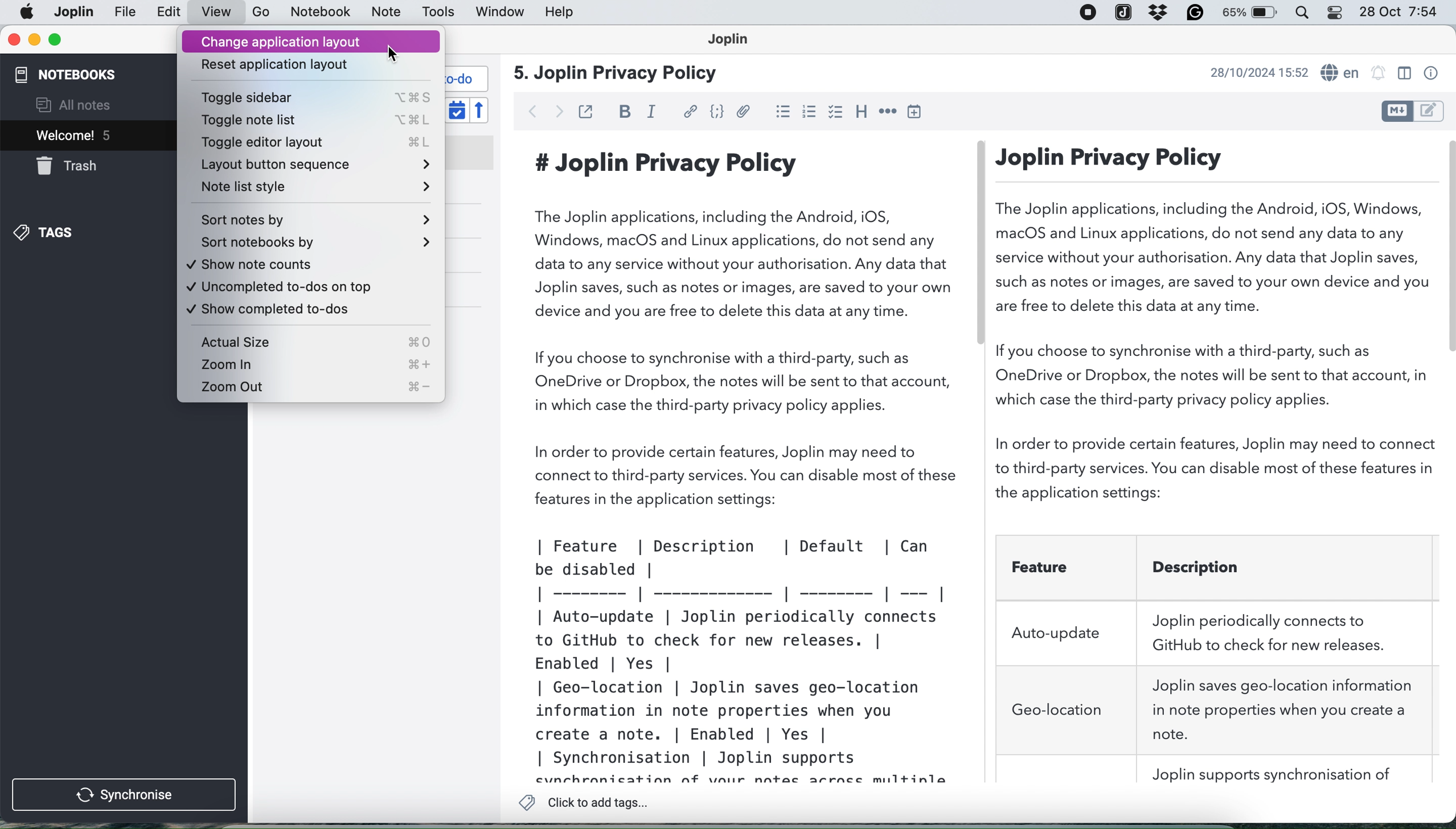  Describe the element at coordinates (1087, 14) in the screenshot. I see `screen recorder` at that location.